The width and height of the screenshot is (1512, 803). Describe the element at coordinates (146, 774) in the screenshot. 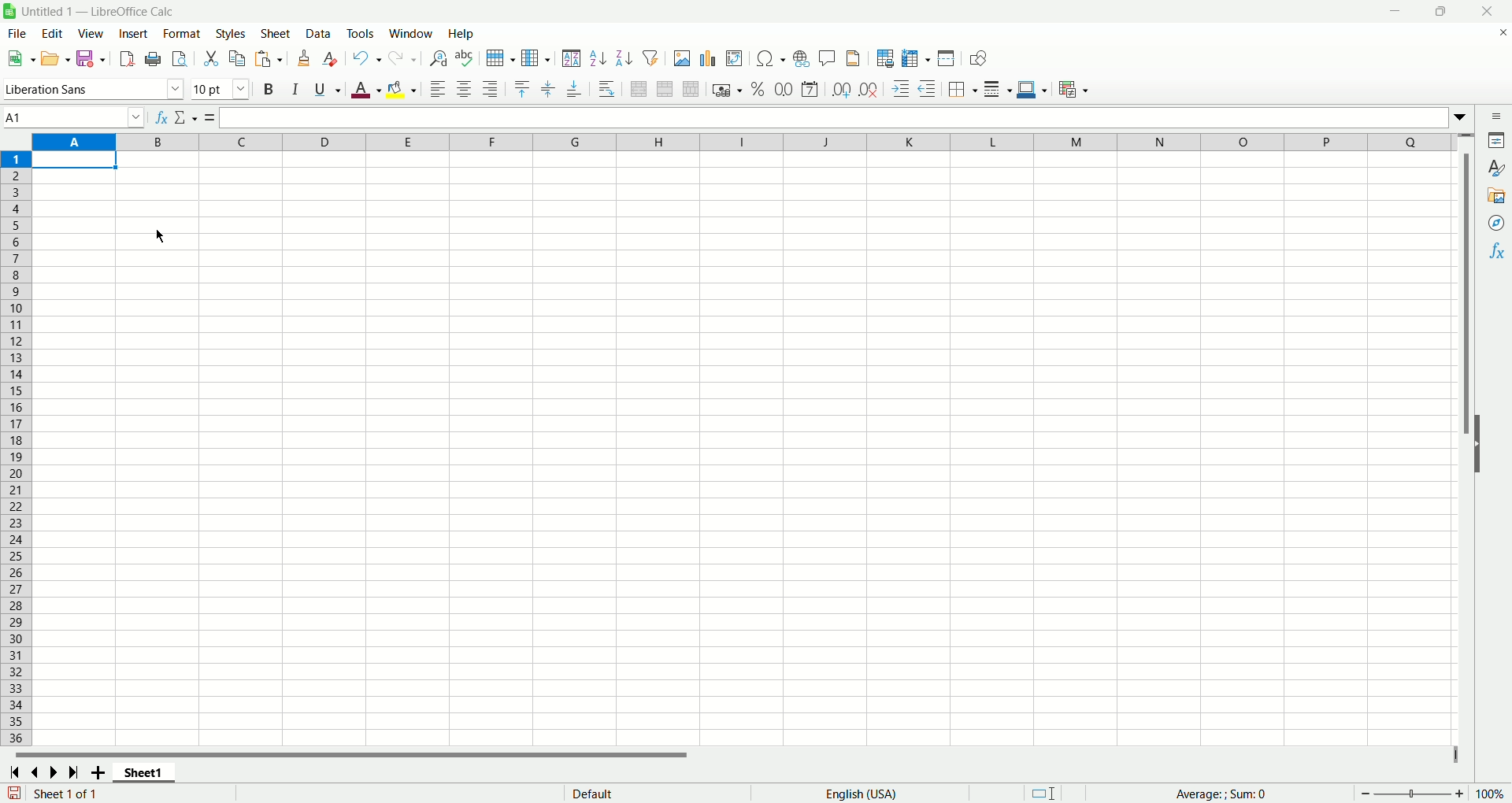

I see `sheet1` at that location.